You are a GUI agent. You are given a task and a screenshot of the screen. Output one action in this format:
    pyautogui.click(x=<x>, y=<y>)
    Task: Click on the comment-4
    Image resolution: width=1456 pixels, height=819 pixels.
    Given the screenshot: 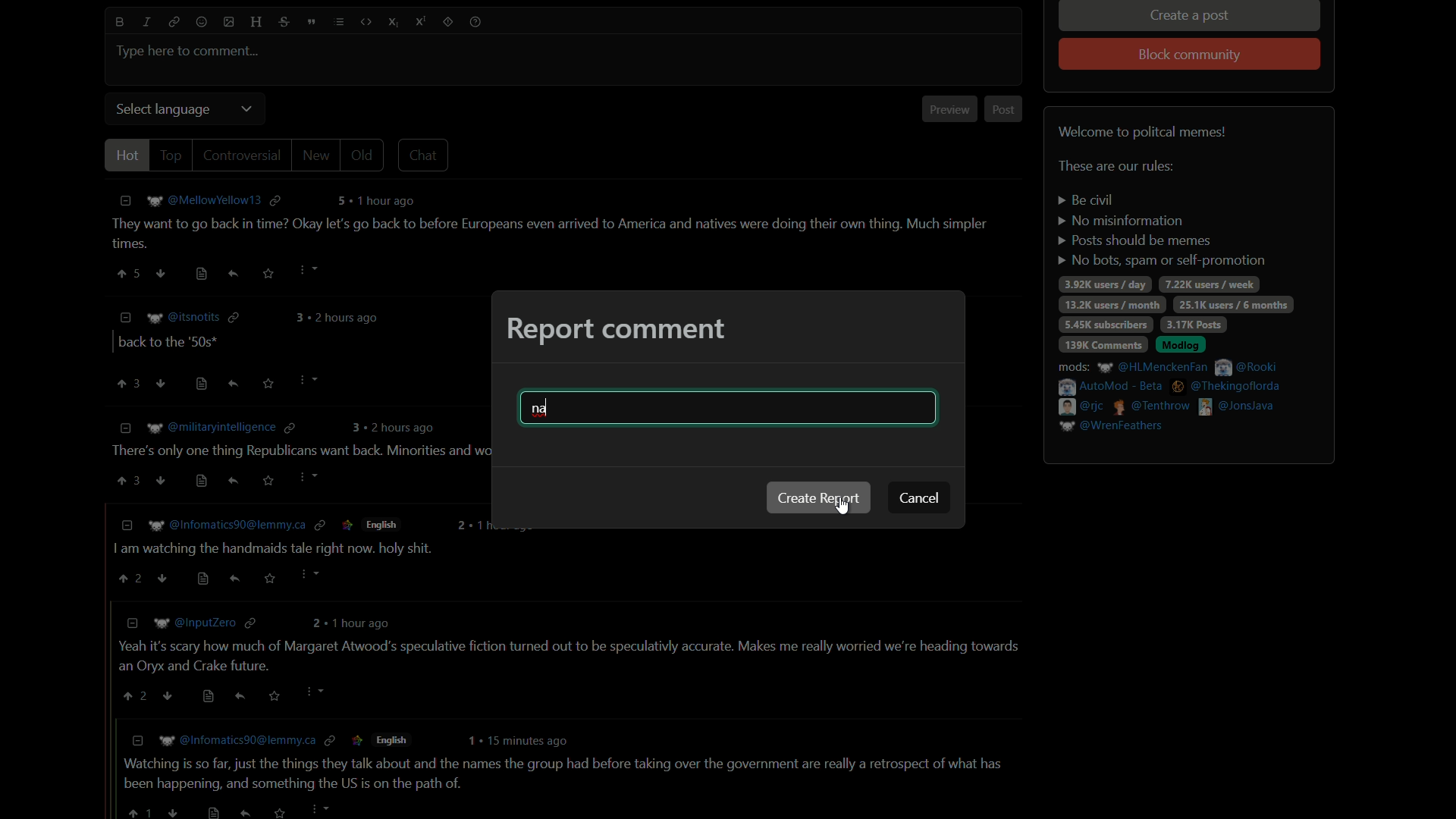 What is the action you would take?
    pyautogui.click(x=298, y=553)
    